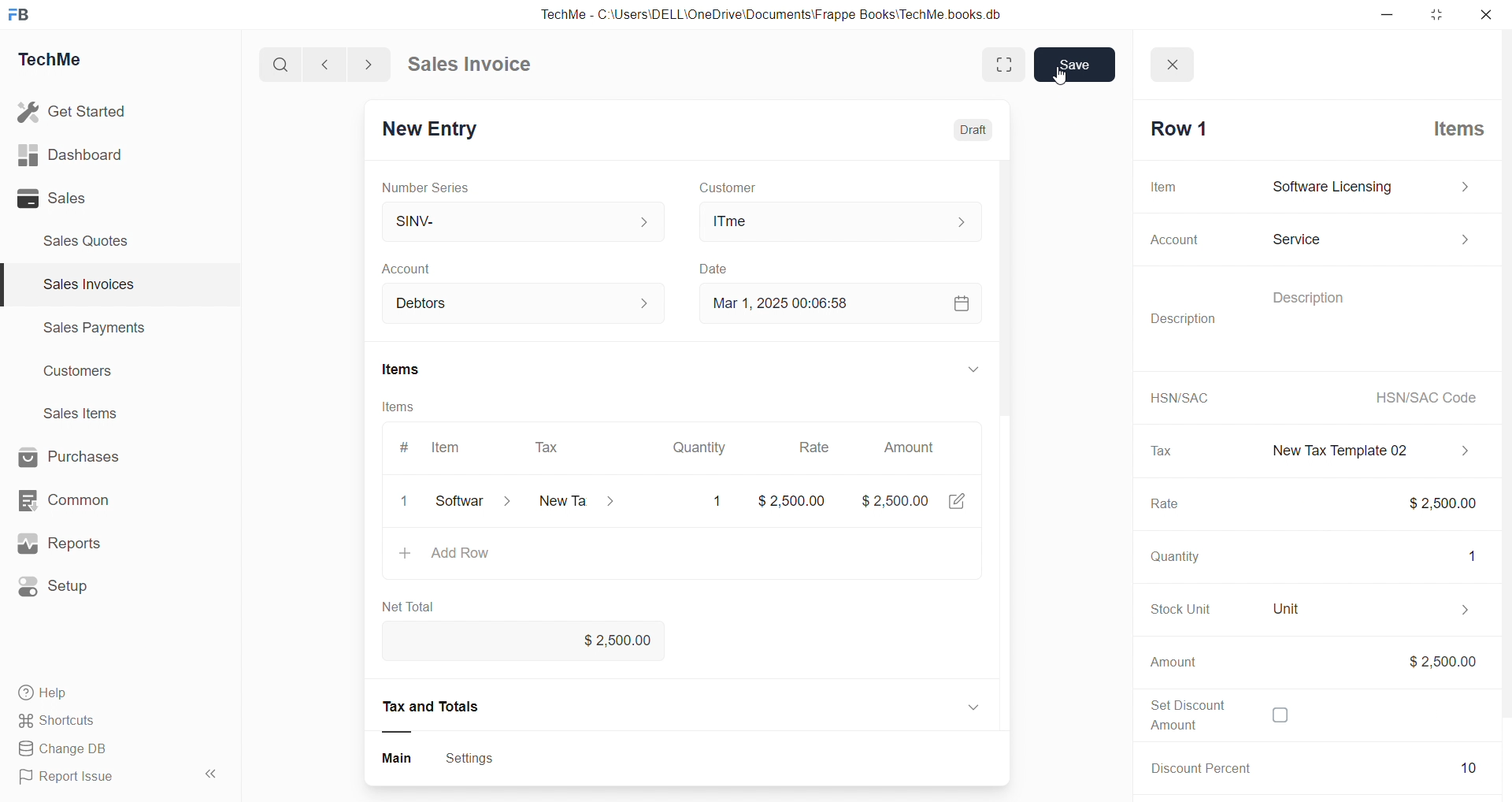 This screenshot has width=1512, height=802. I want to click on Sales Payments, so click(87, 330).